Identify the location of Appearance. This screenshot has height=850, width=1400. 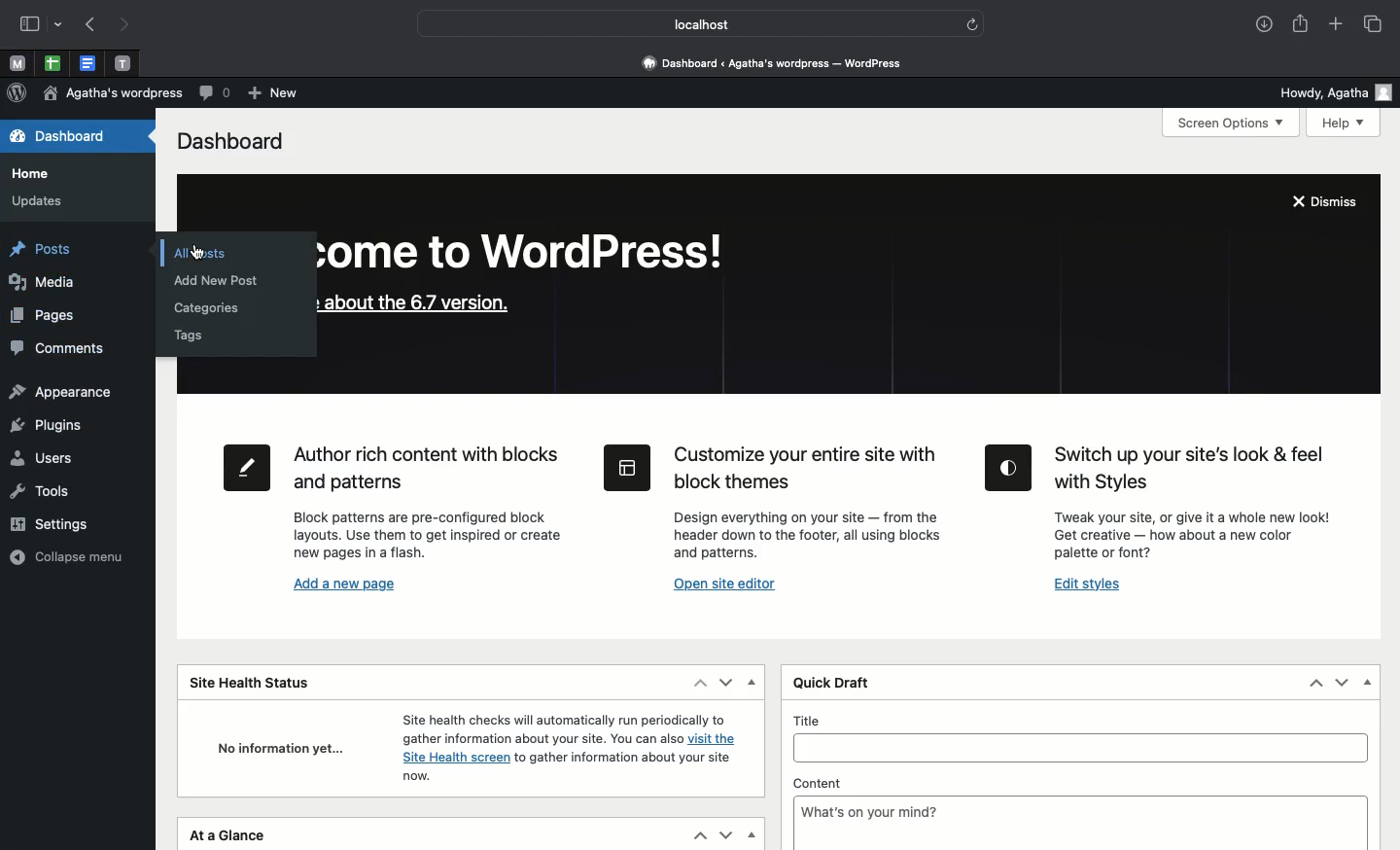
(59, 394).